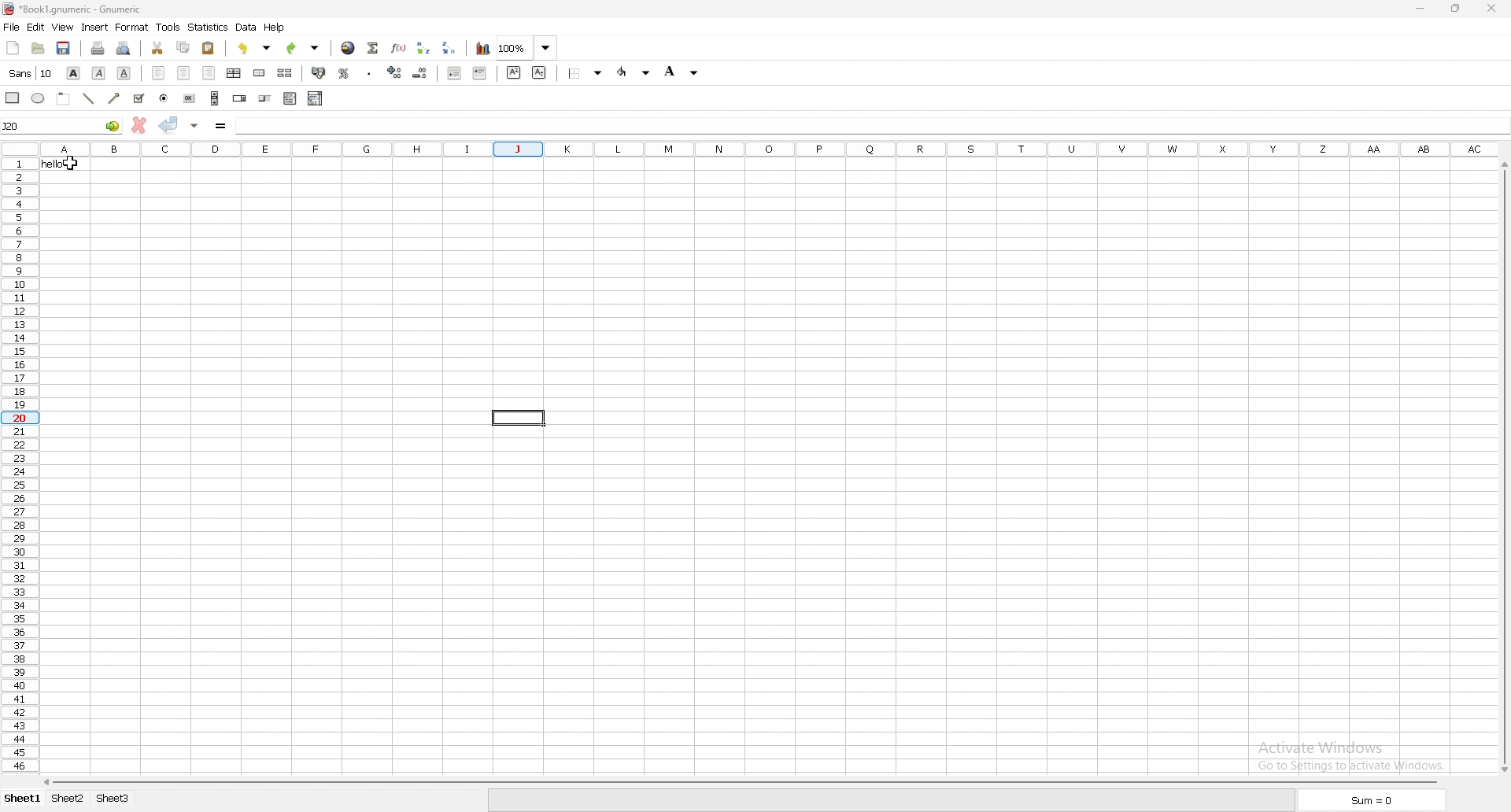  What do you see at coordinates (194, 125) in the screenshot?
I see `accept change in multiple cells` at bounding box center [194, 125].